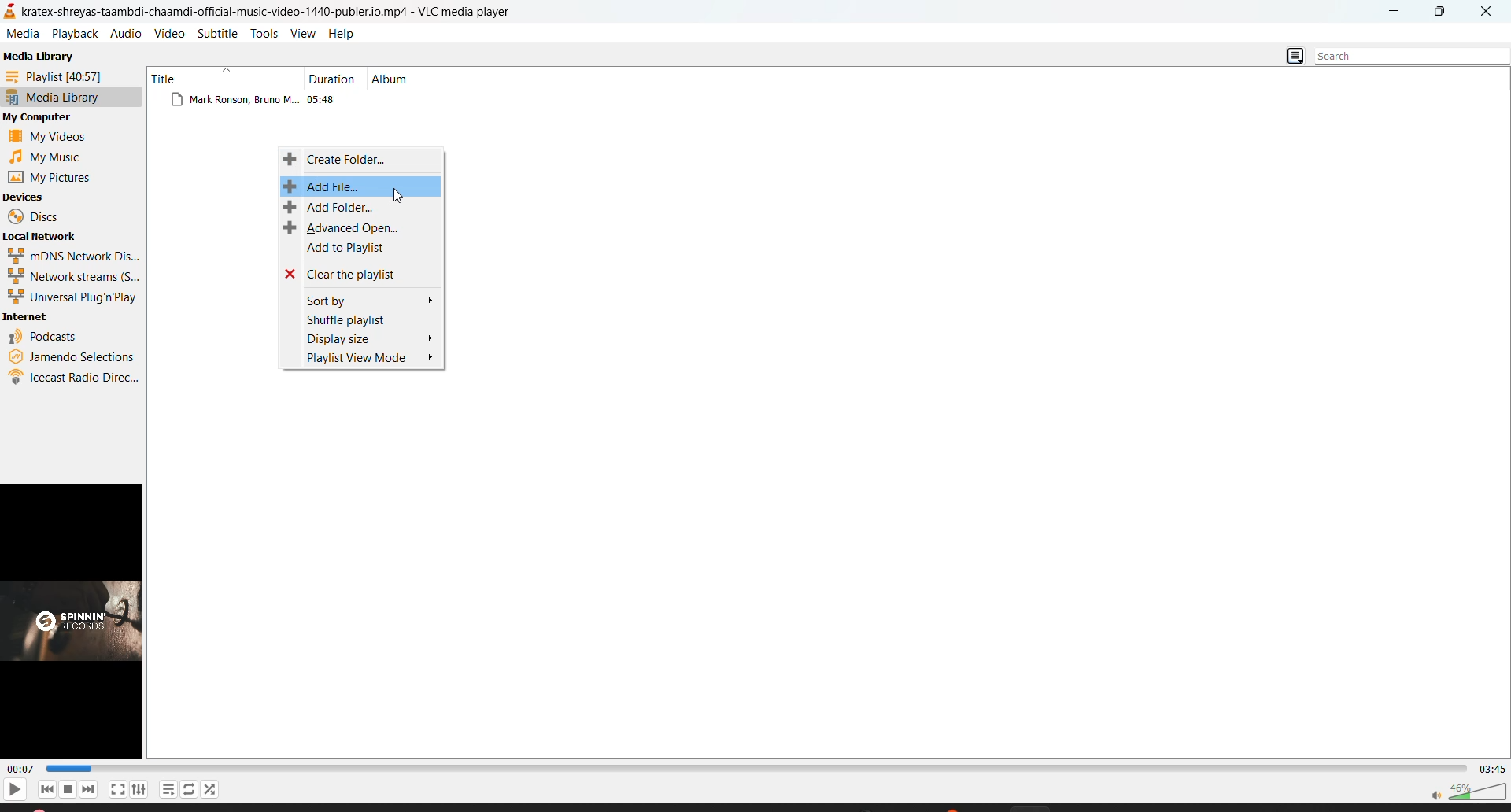 This screenshot has width=1511, height=812. What do you see at coordinates (330, 208) in the screenshot?
I see `add folder` at bounding box center [330, 208].